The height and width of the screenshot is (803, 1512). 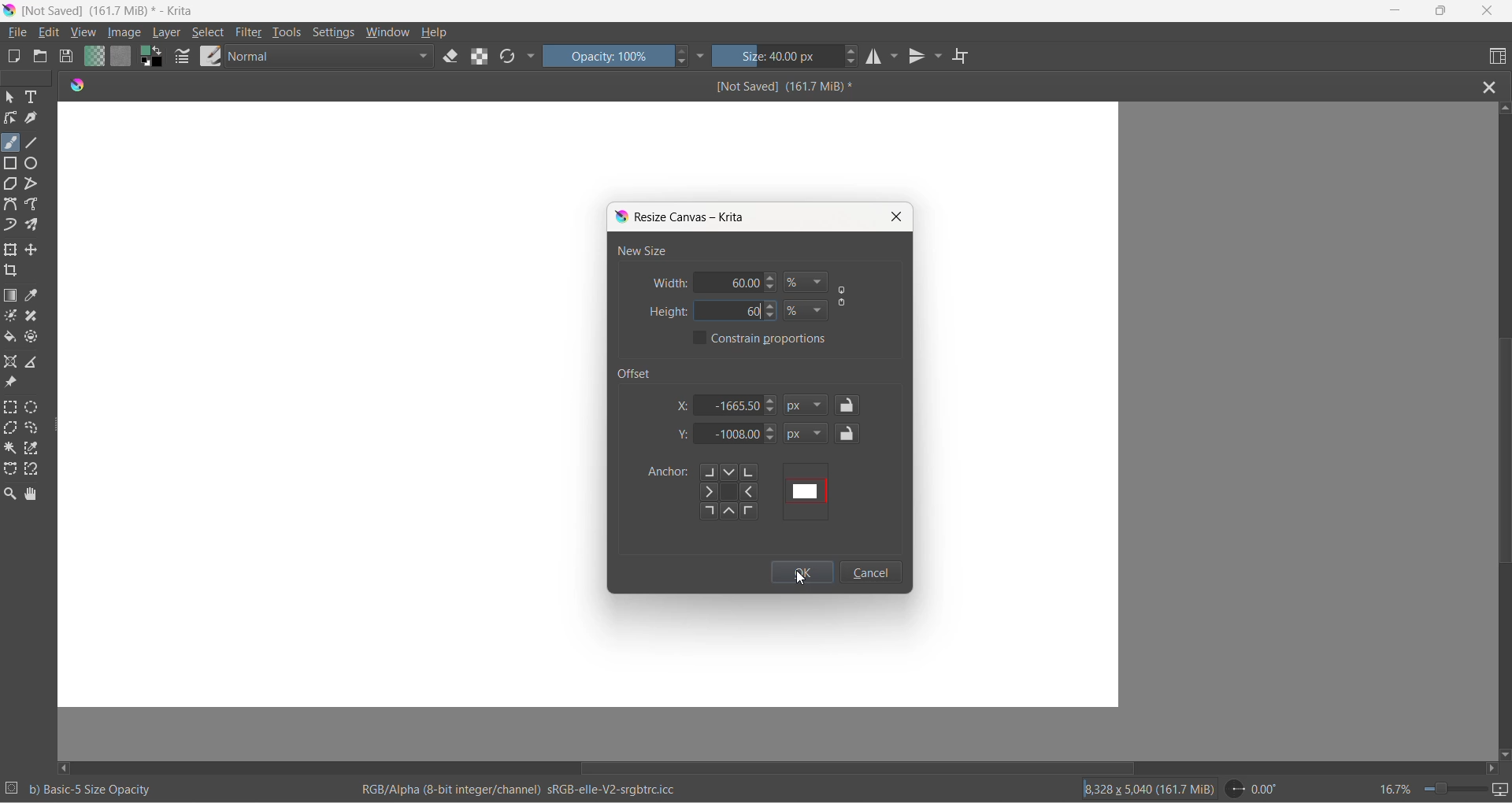 What do you see at coordinates (857, 62) in the screenshot?
I see `decrement size` at bounding box center [857, 62].